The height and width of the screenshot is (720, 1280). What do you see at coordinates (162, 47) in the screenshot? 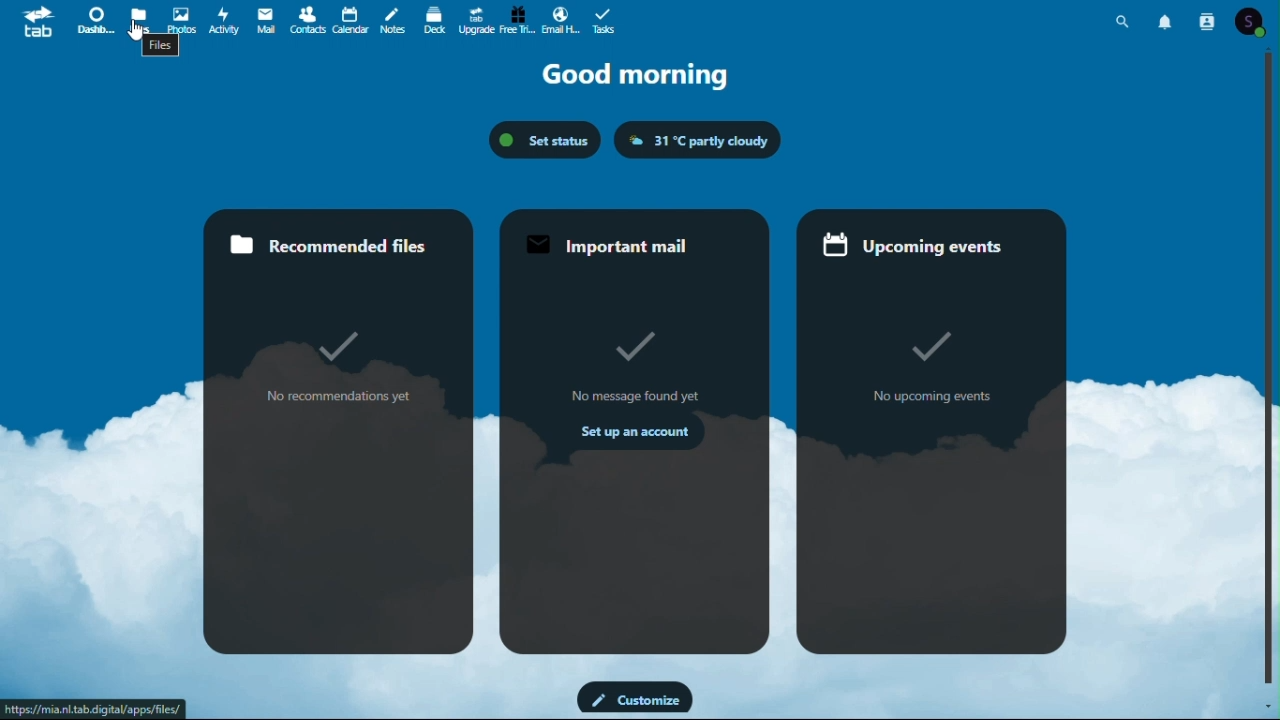
I see `files` at bounding box center [162, 47].